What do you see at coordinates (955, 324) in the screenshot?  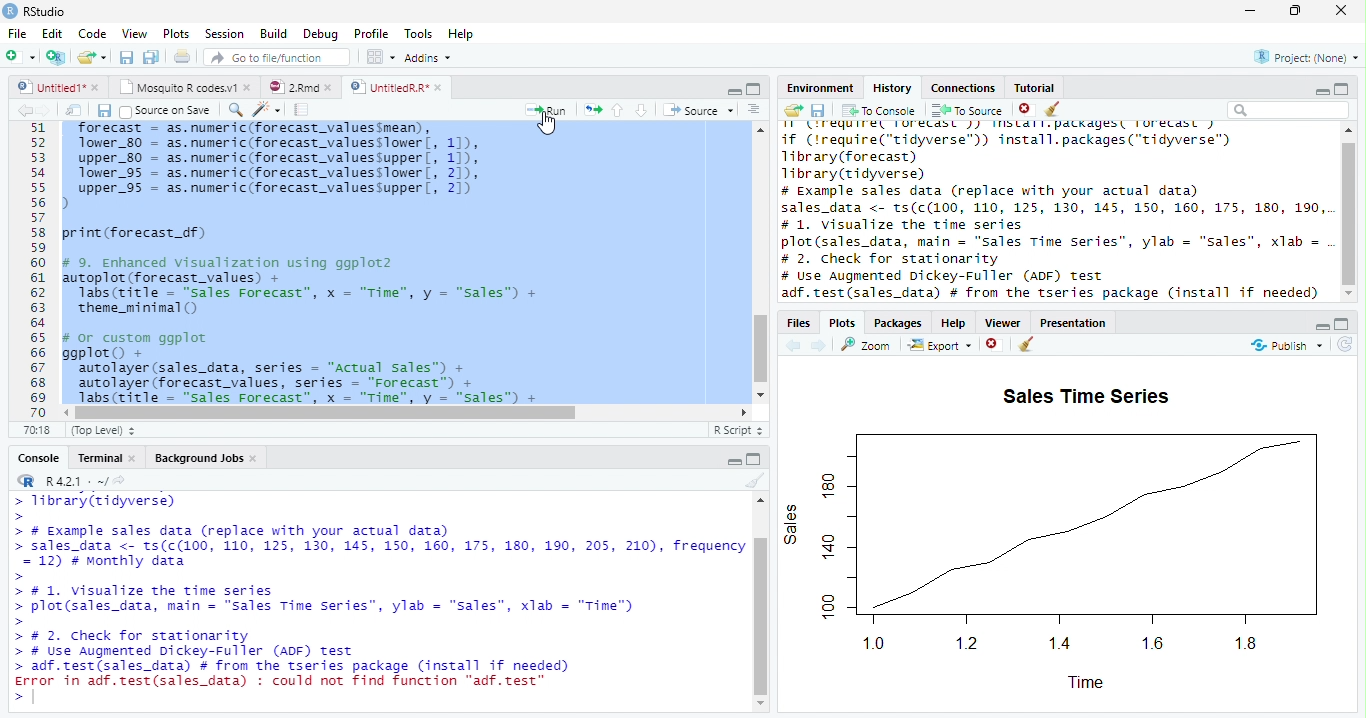 I see `Help` at bounding box center [955, 324].